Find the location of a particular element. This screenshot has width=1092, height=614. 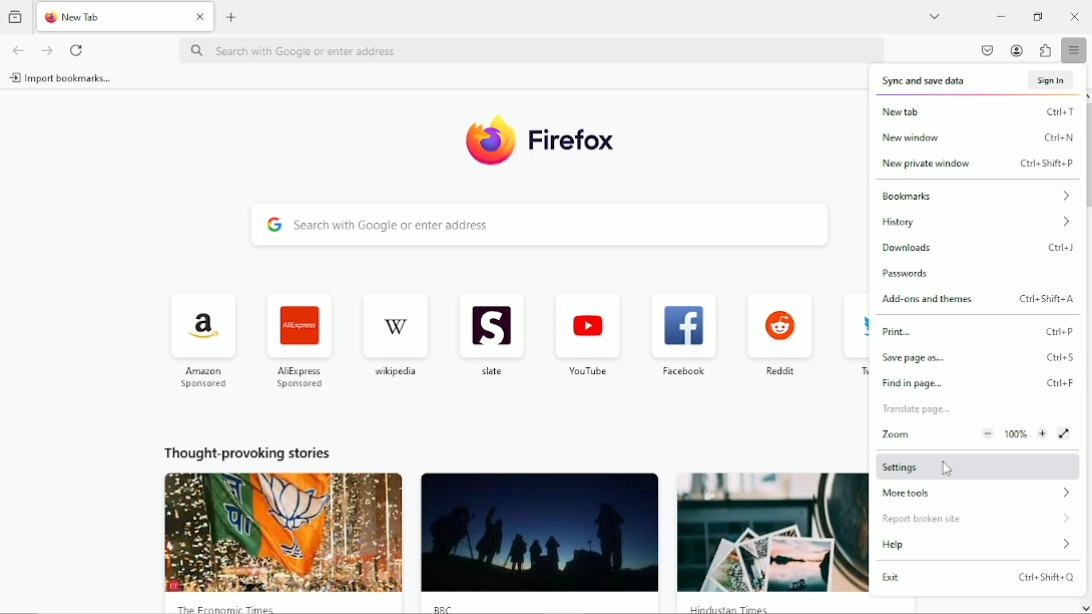

sign in is located at coordinates (1053, 80).